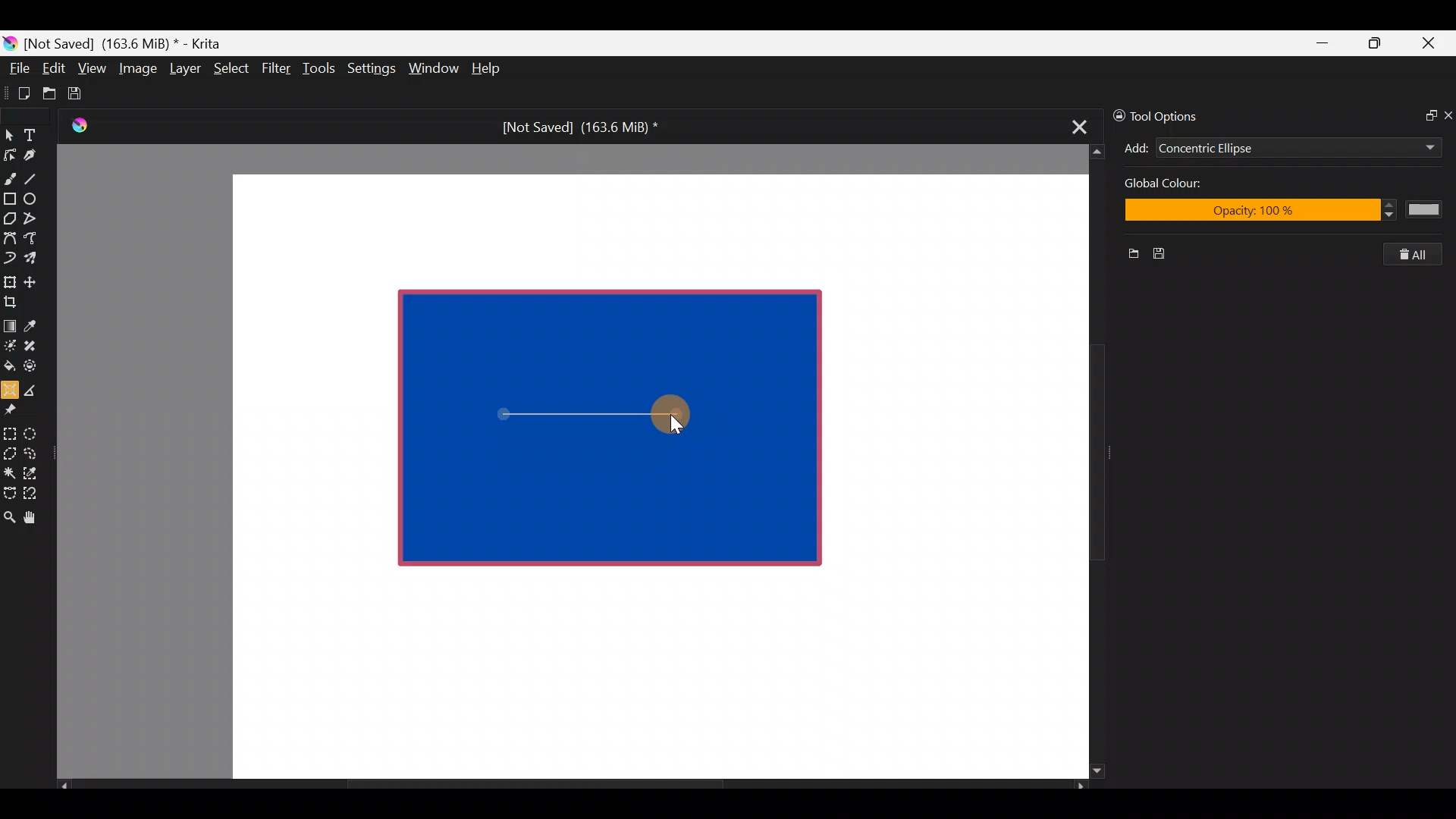 The width and height of the screenshot is (1456, 819). I want to click on Calligraphy, so click(41, 158).